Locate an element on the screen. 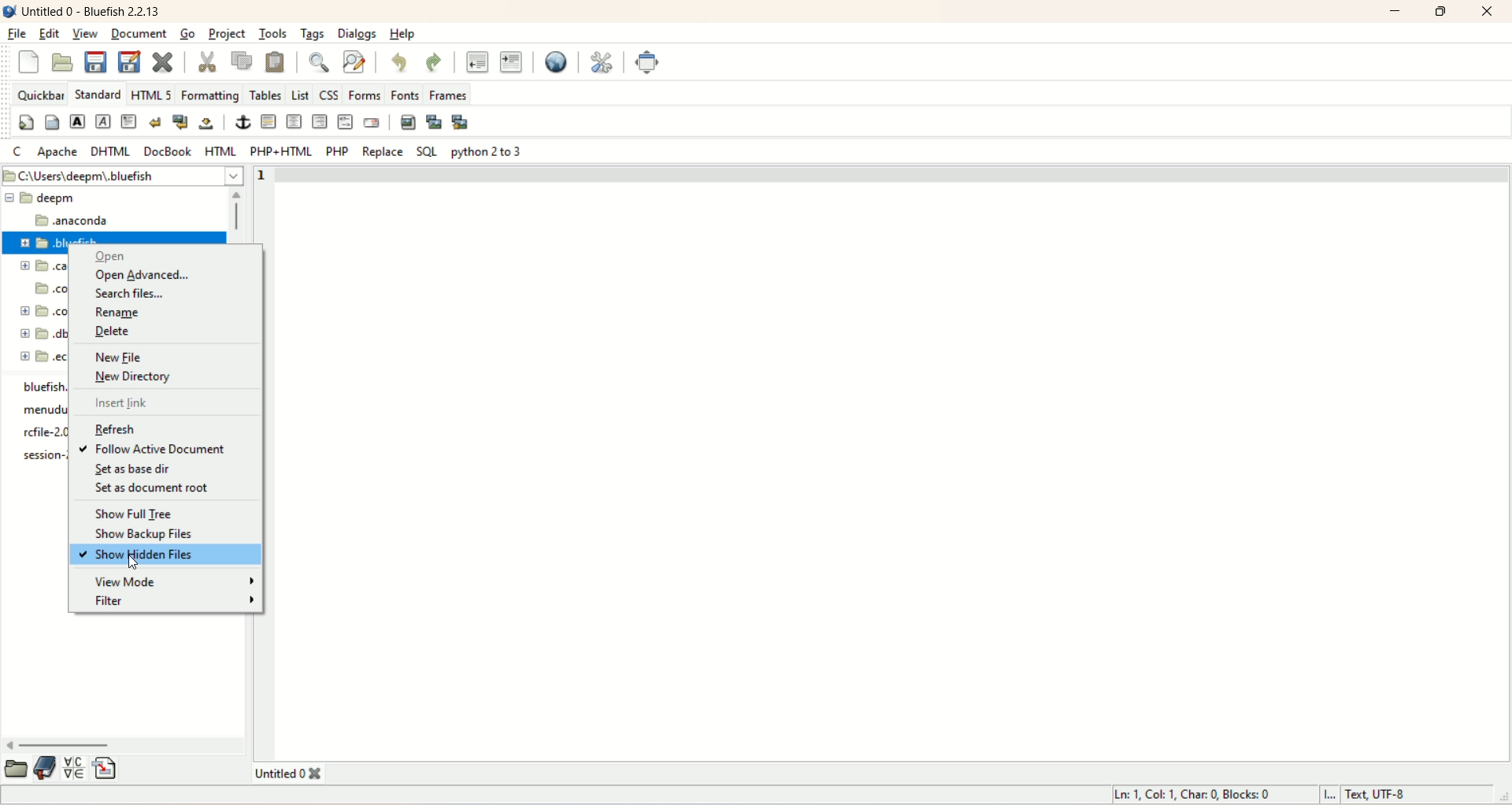  documentation is located at coordinates (46, 768).